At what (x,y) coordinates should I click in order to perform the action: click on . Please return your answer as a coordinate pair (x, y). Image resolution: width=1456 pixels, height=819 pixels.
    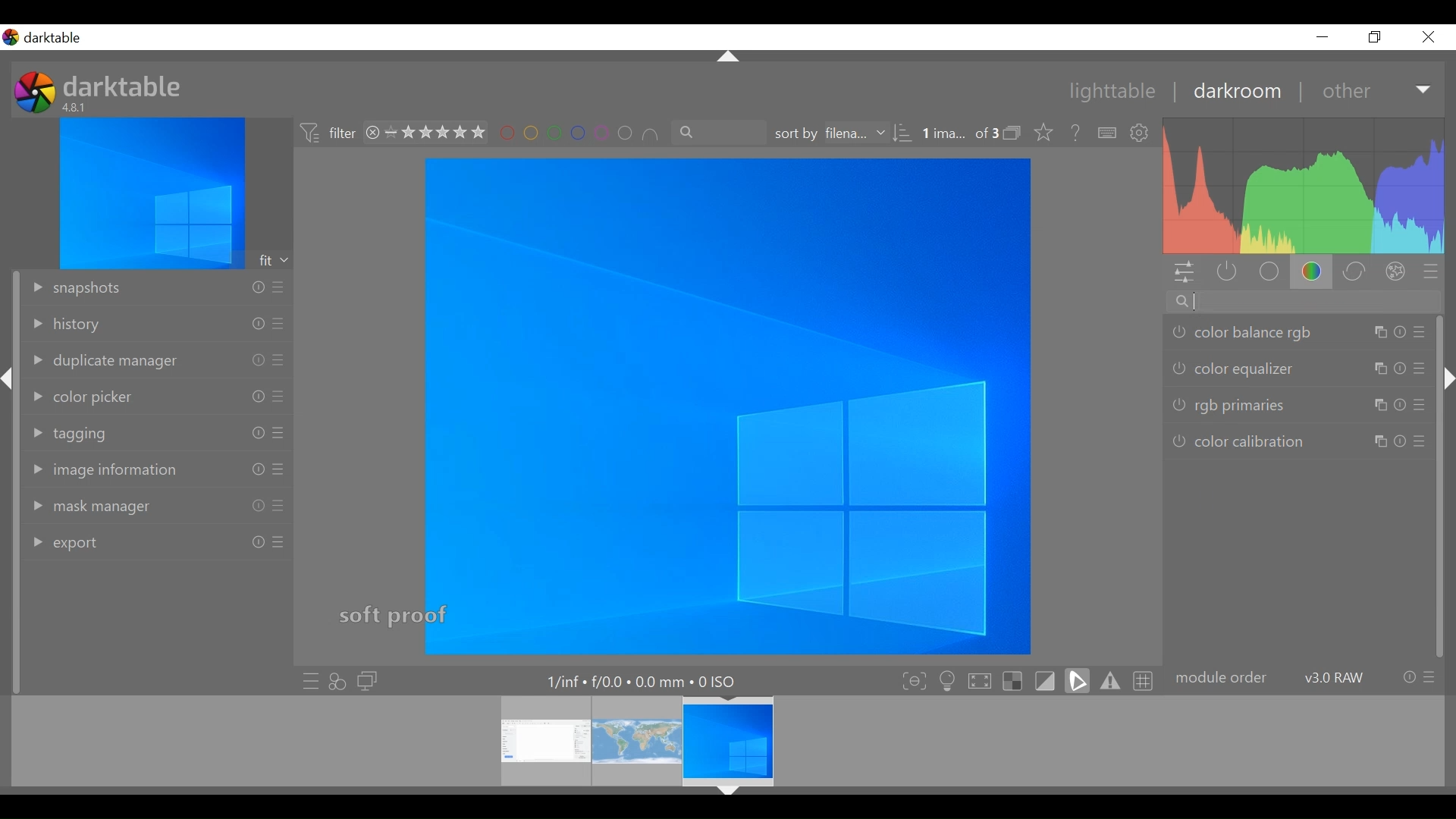
    Looking at the image, I should click on (1379, 332).